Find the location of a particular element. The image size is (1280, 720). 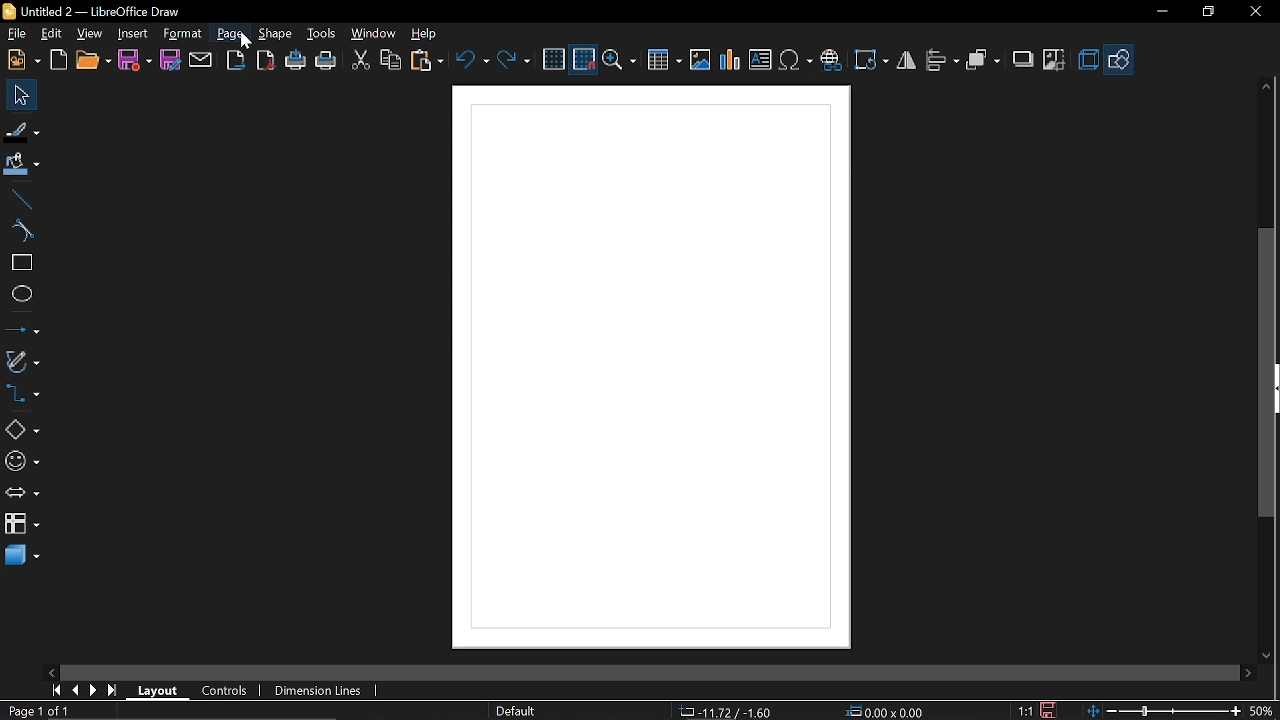

Line is located at coordinates (19, 200).